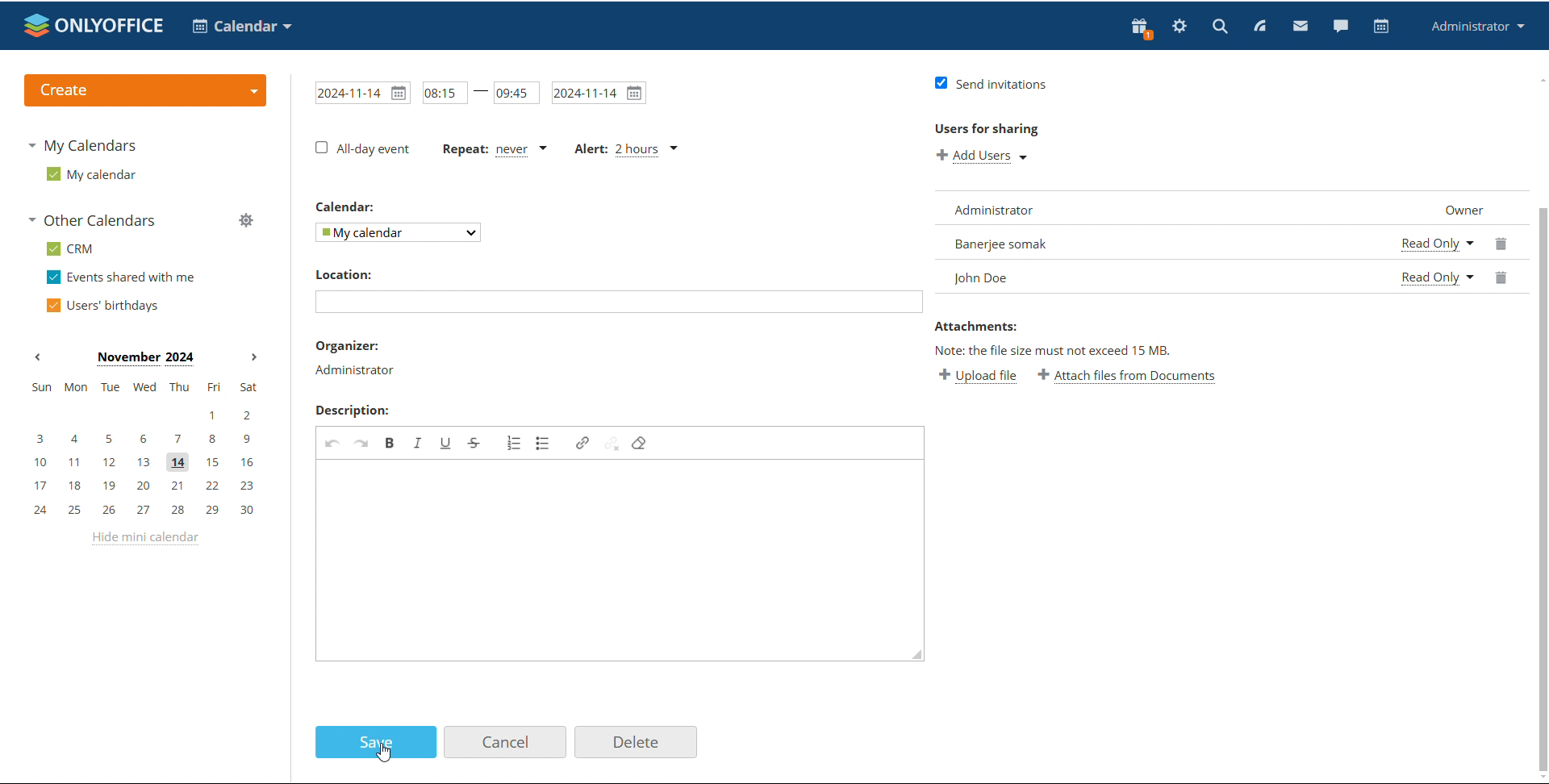  What do you see at coordinates (362, 93) in the screenshot?
I see `set start date` at bounding box center [362, 93].